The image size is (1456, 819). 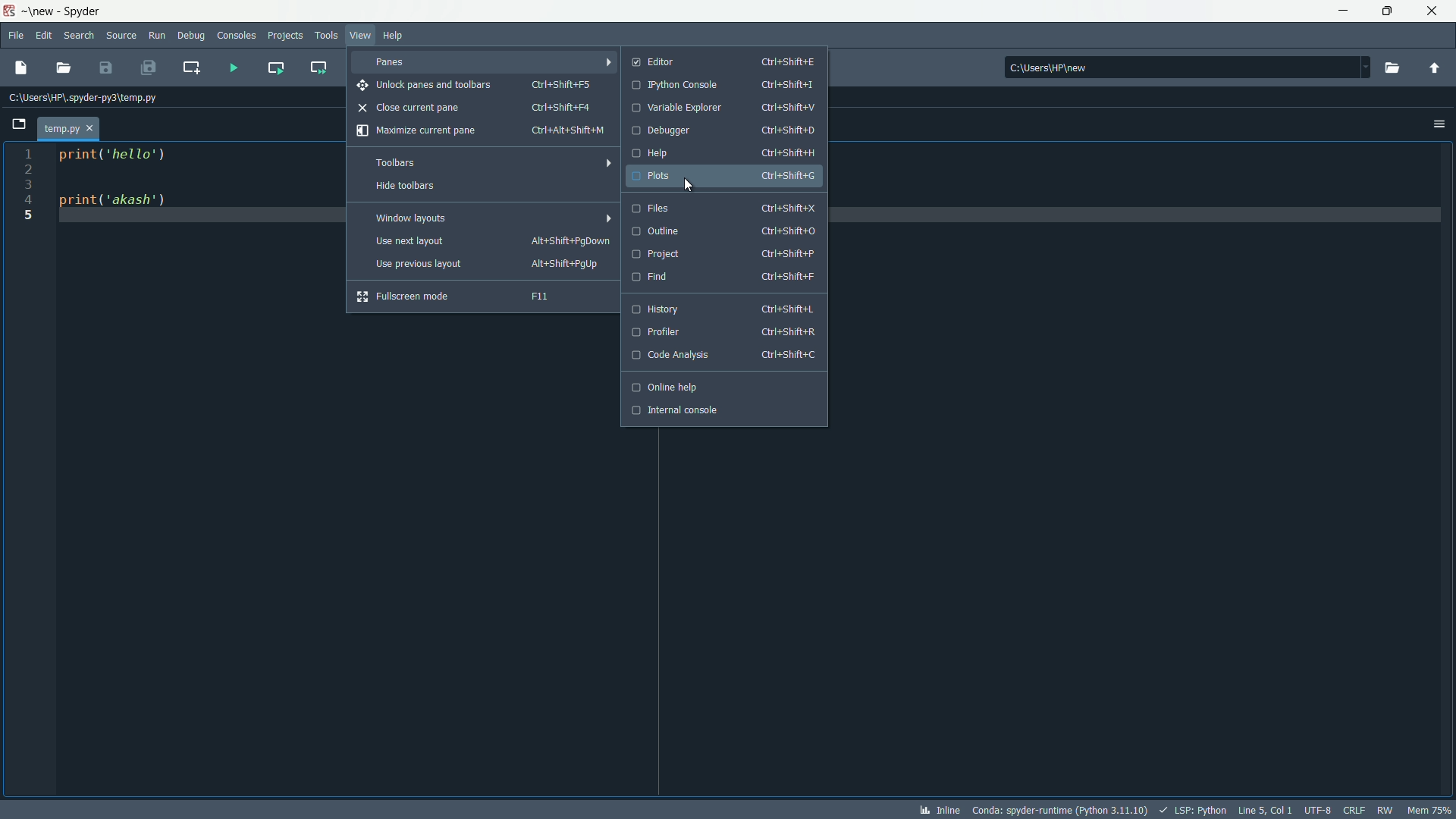 I want to click on cursor position, so click(x=1266, y=810).